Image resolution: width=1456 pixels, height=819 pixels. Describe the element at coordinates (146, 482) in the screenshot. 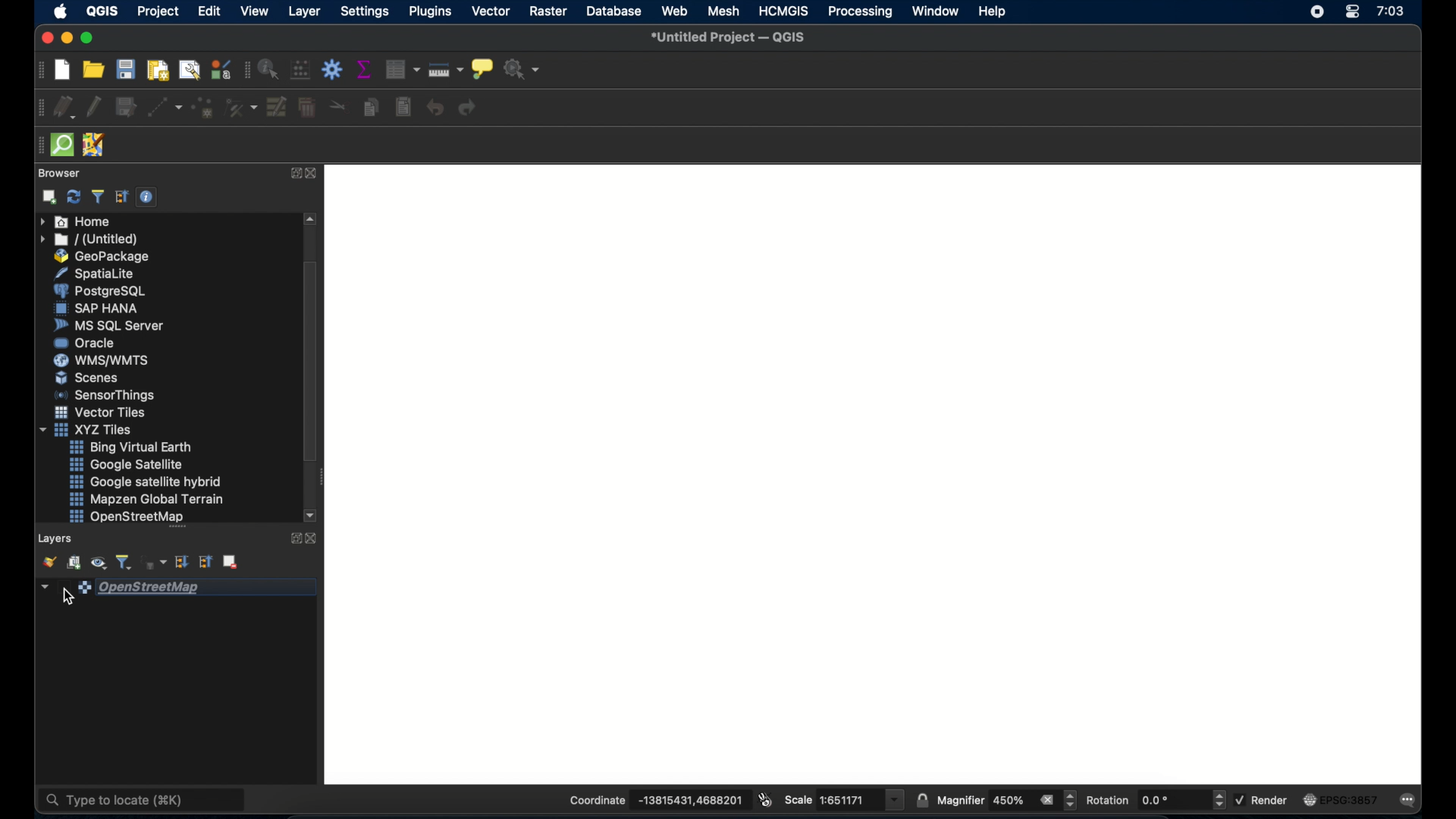

I see `google satellite hybrid` at that location.